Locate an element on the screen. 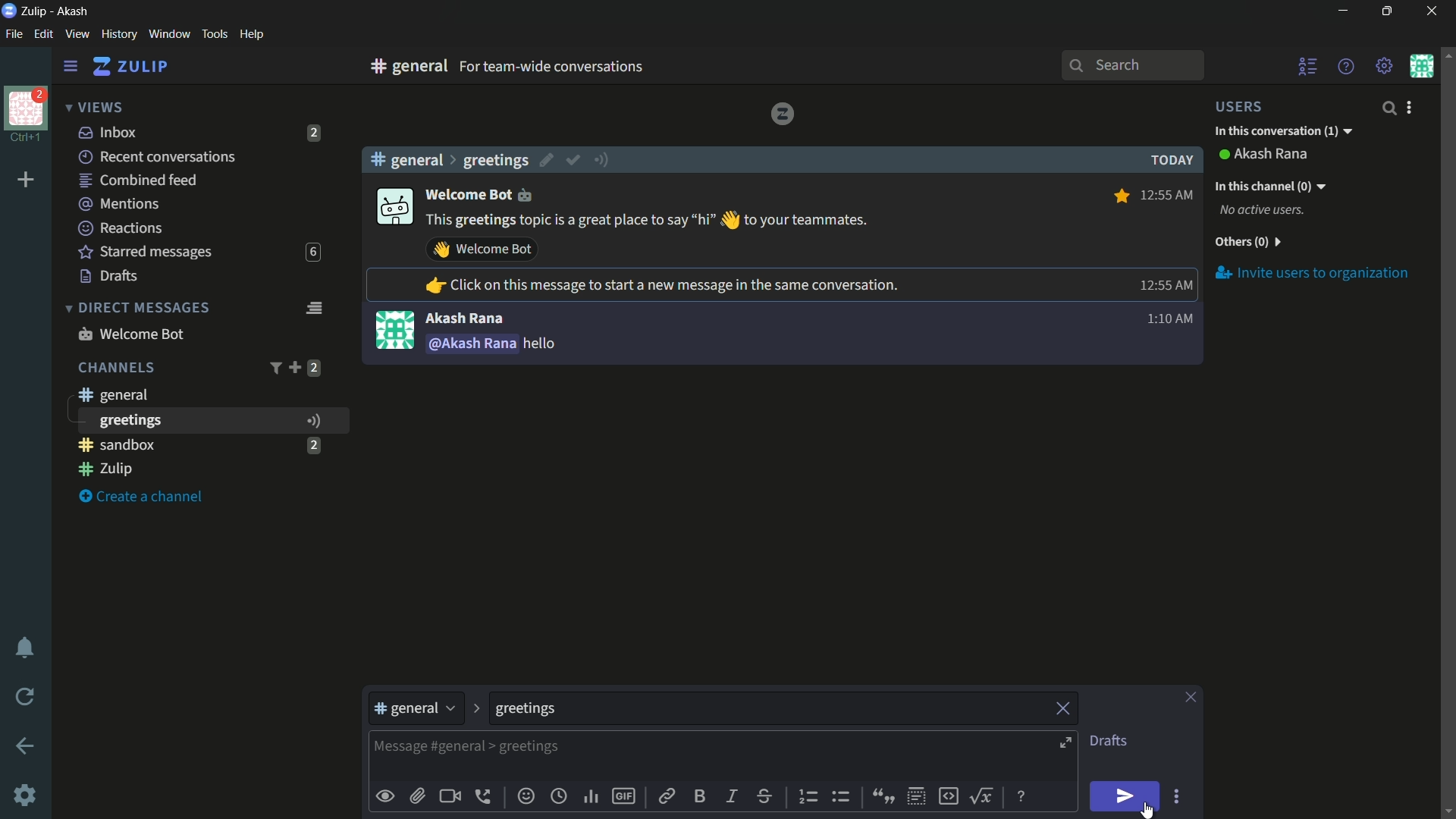  add voice call is located at coordinates (486, 796).